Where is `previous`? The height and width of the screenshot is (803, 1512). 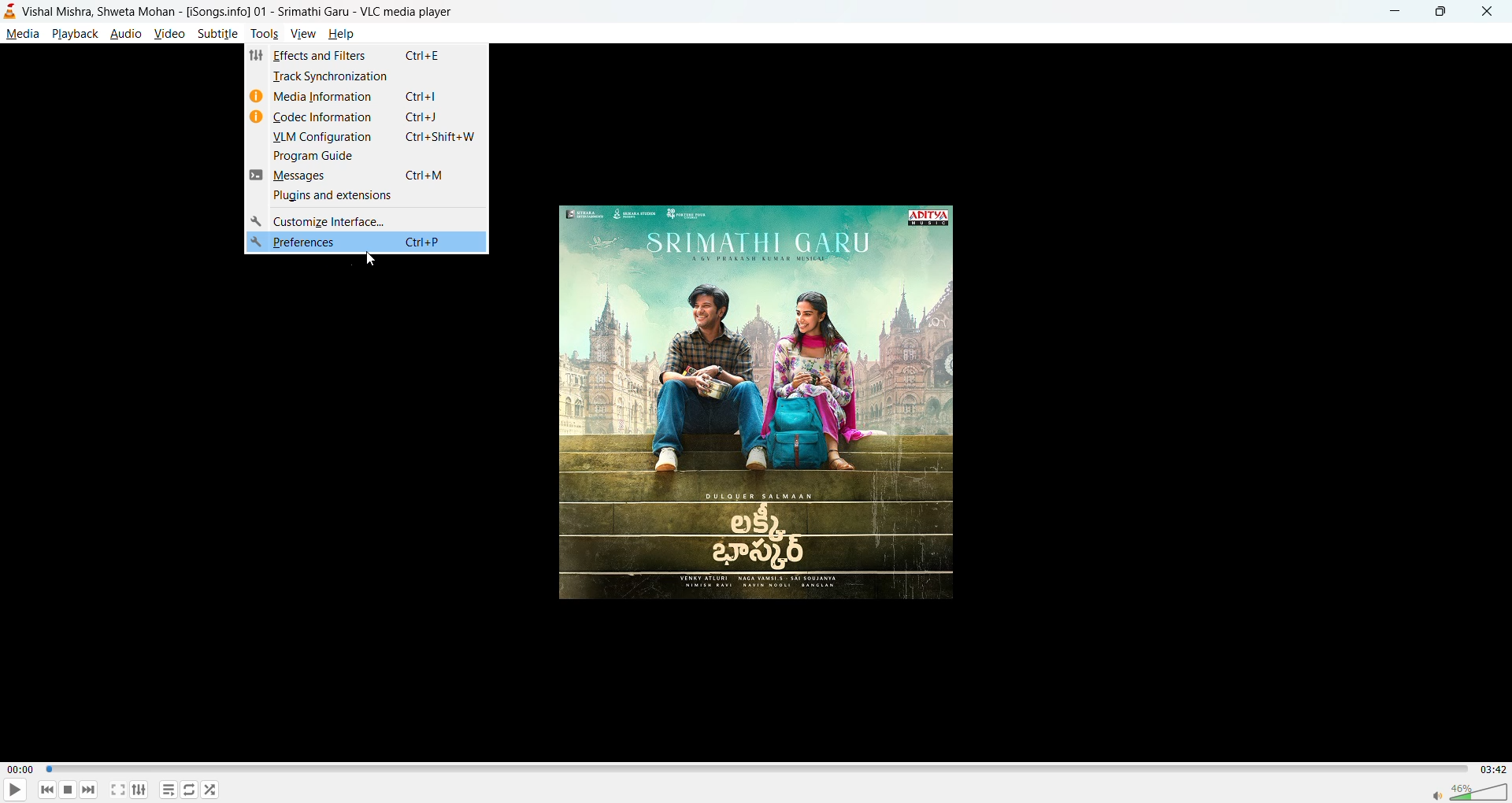 previous is located at coordinates (48, 789).